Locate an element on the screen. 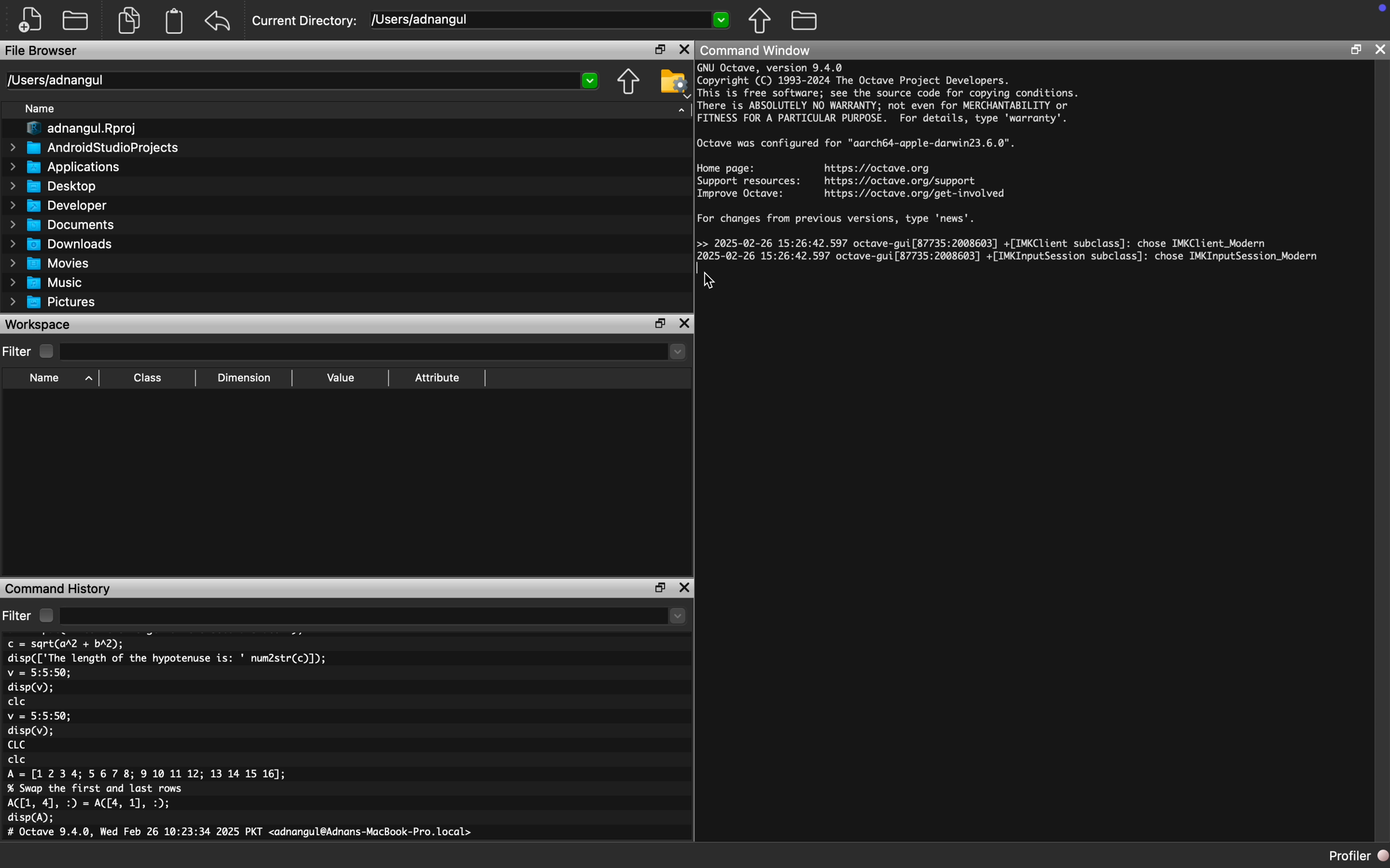 The image size is (1390, 868). disp(v); is located at coordinates (30, 689).